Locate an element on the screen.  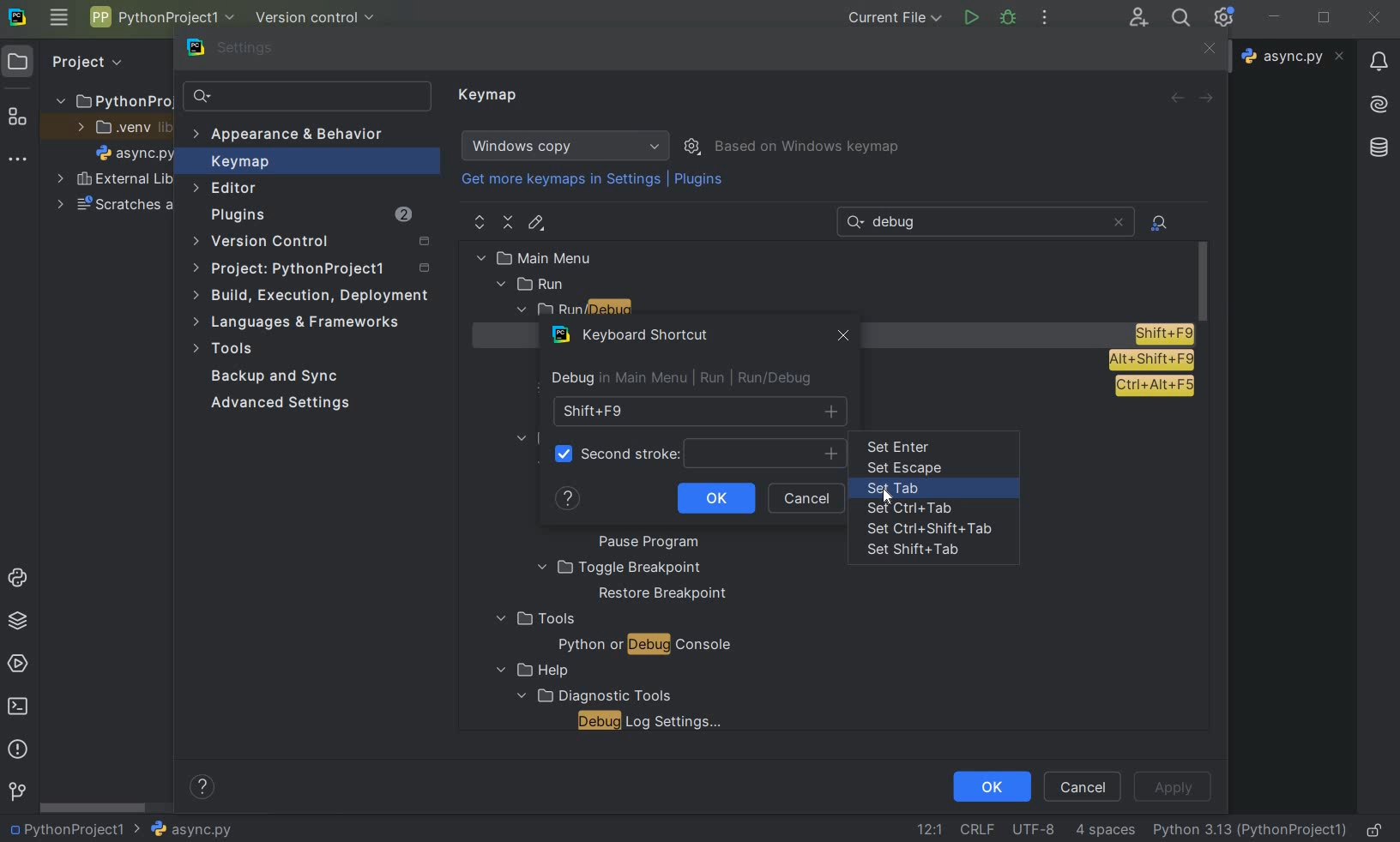
file actions by shortcuts is located at coordinates (1161, 223).